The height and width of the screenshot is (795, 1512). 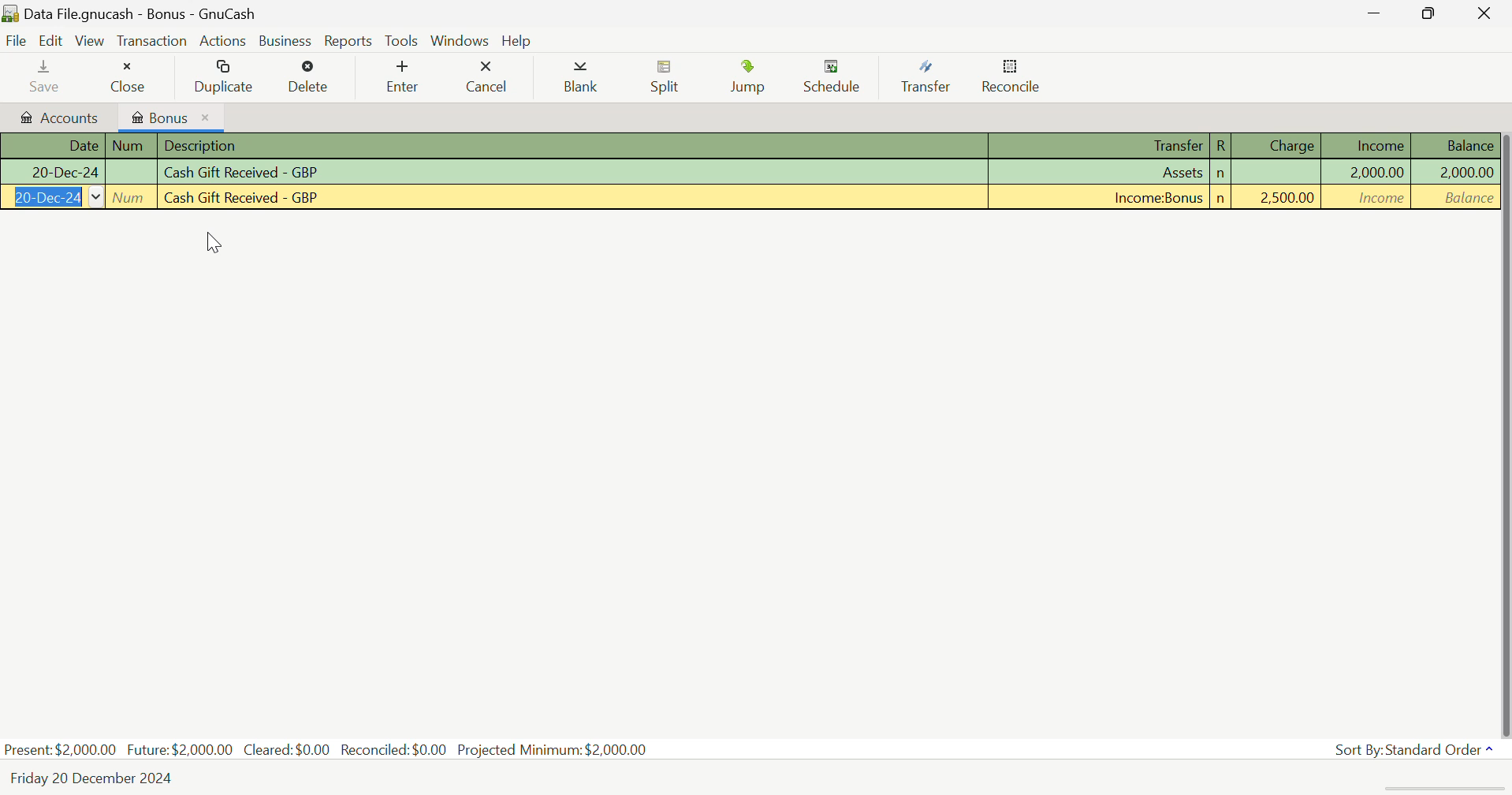 What do you see at coordinates (1488, 12) in the screenshot?
I see `Close Window` at bounding box center [1488, 12].